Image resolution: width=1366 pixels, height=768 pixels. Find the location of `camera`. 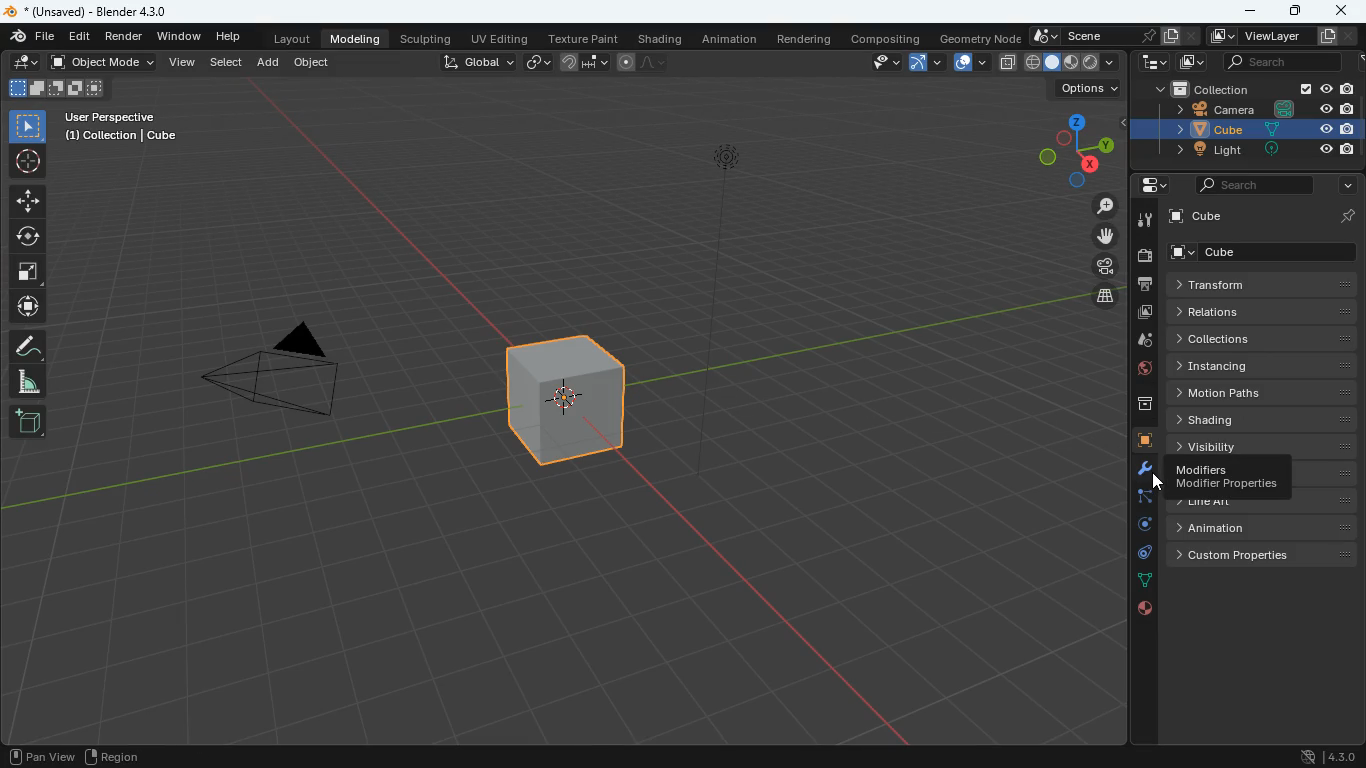

camera is located at coordinates (1144, 258).